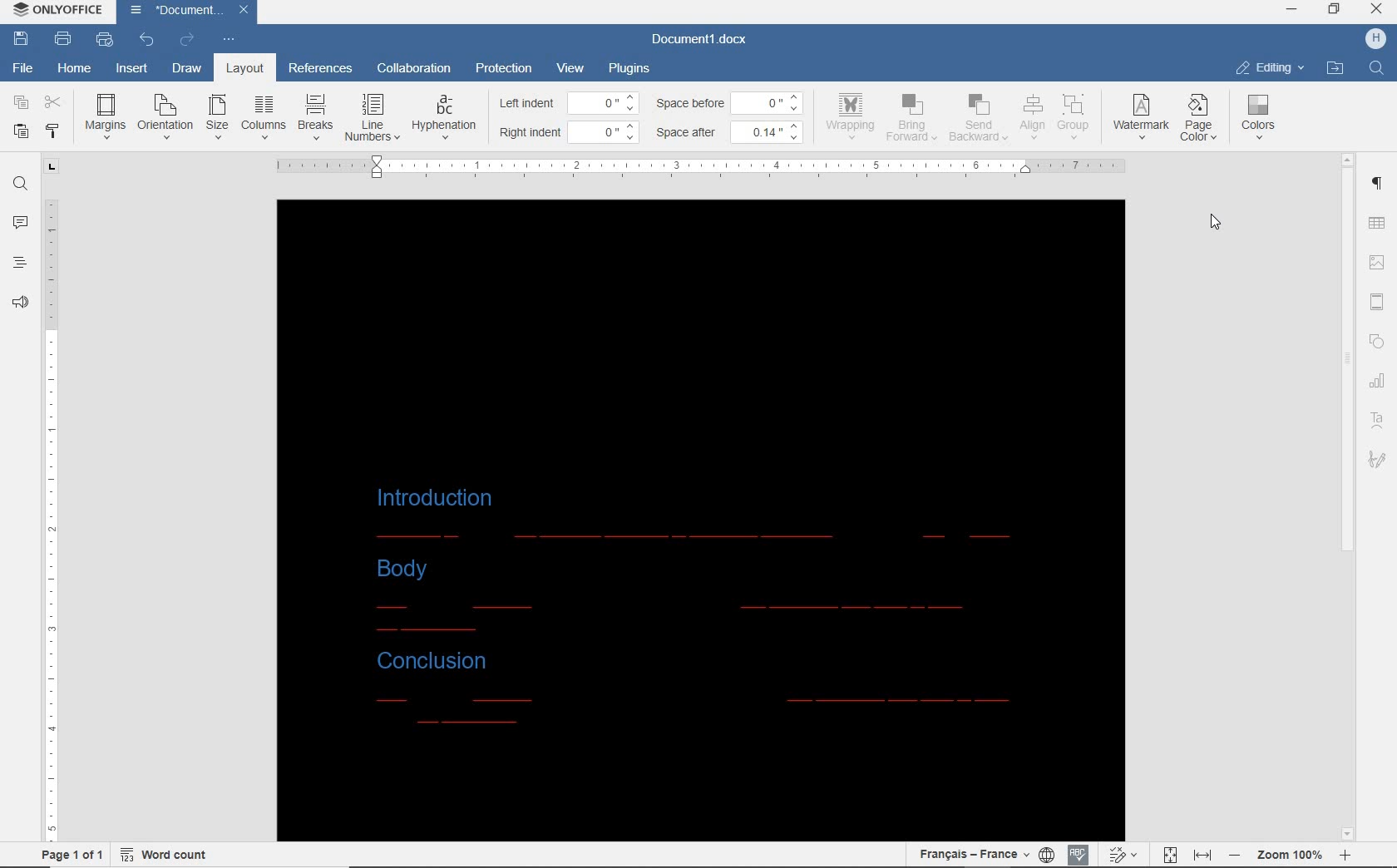 The width and height of the screenshot is (1397, 868). What do you see at coordinates (912, 118) in the screenshot?
I see `bring forward` at bounding box center [912, 118].